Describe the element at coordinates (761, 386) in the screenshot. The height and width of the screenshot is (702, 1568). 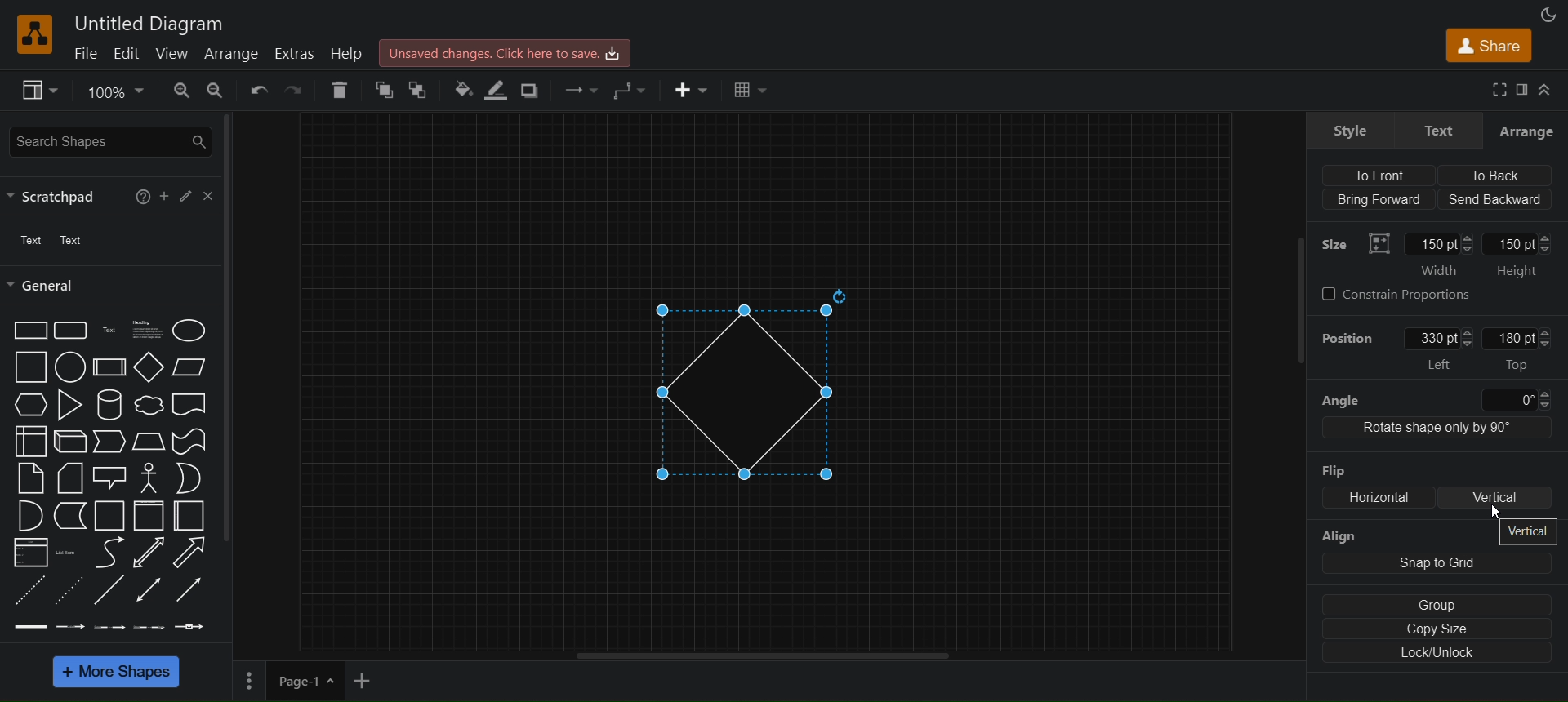
I see `diamond` at that location.